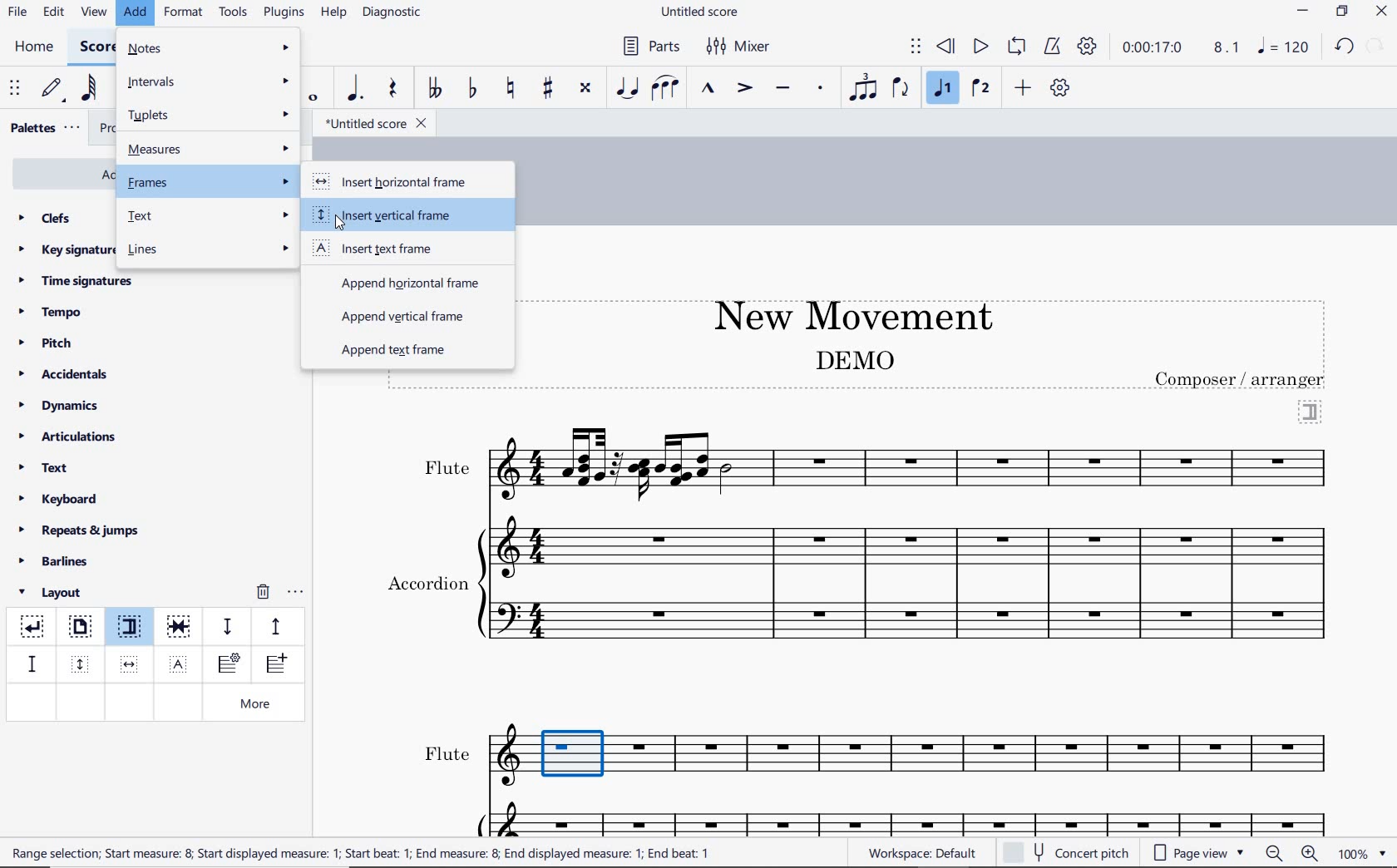 The image size is (1397, 868). What do you see at coordinates (399, 183) in the screenshot?
I see `insert horizontal frame` at bounding box center [399, 183].